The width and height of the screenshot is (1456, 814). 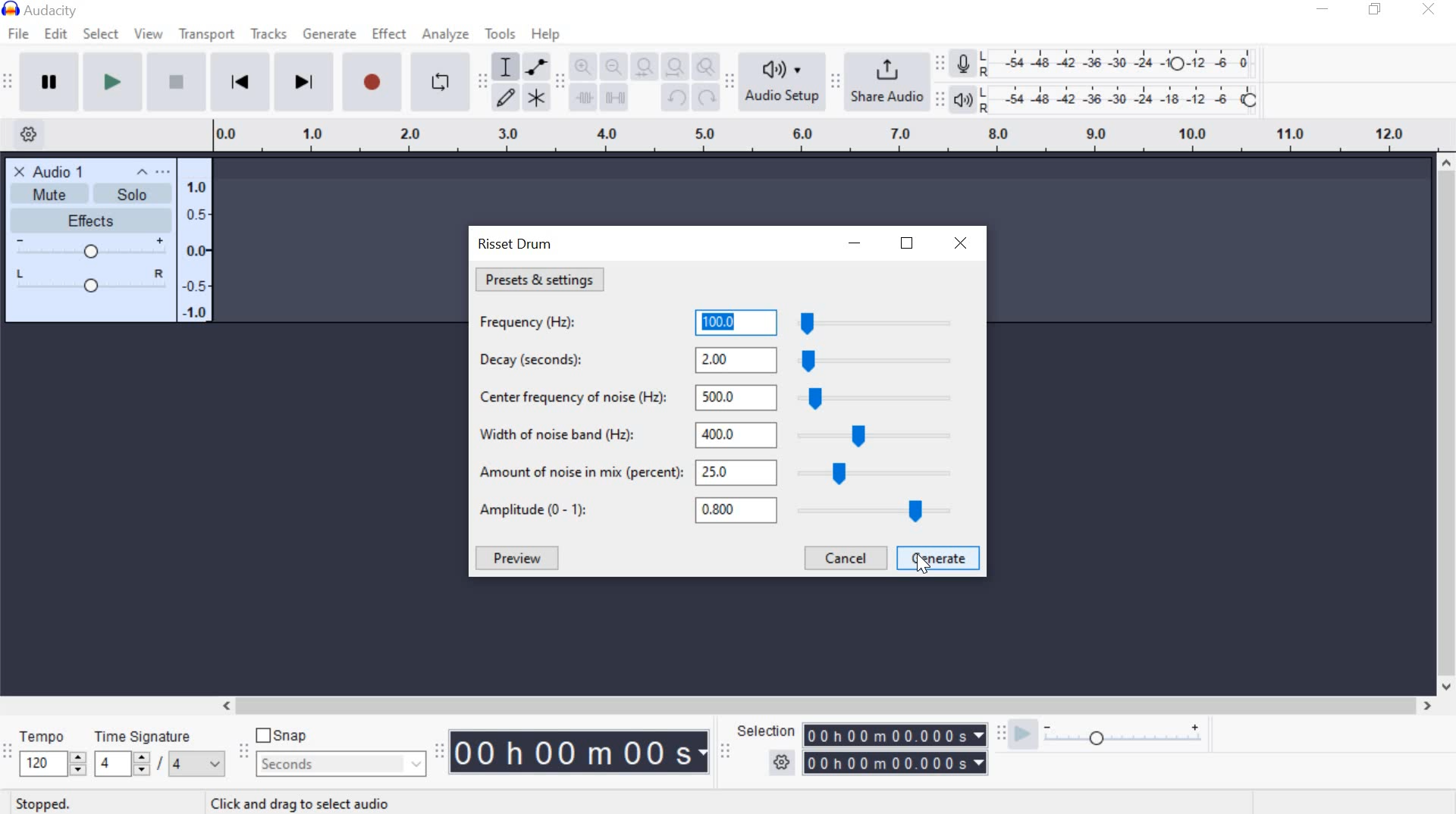 I want to click on -0.5  Looping, so click(x=198, y=286).